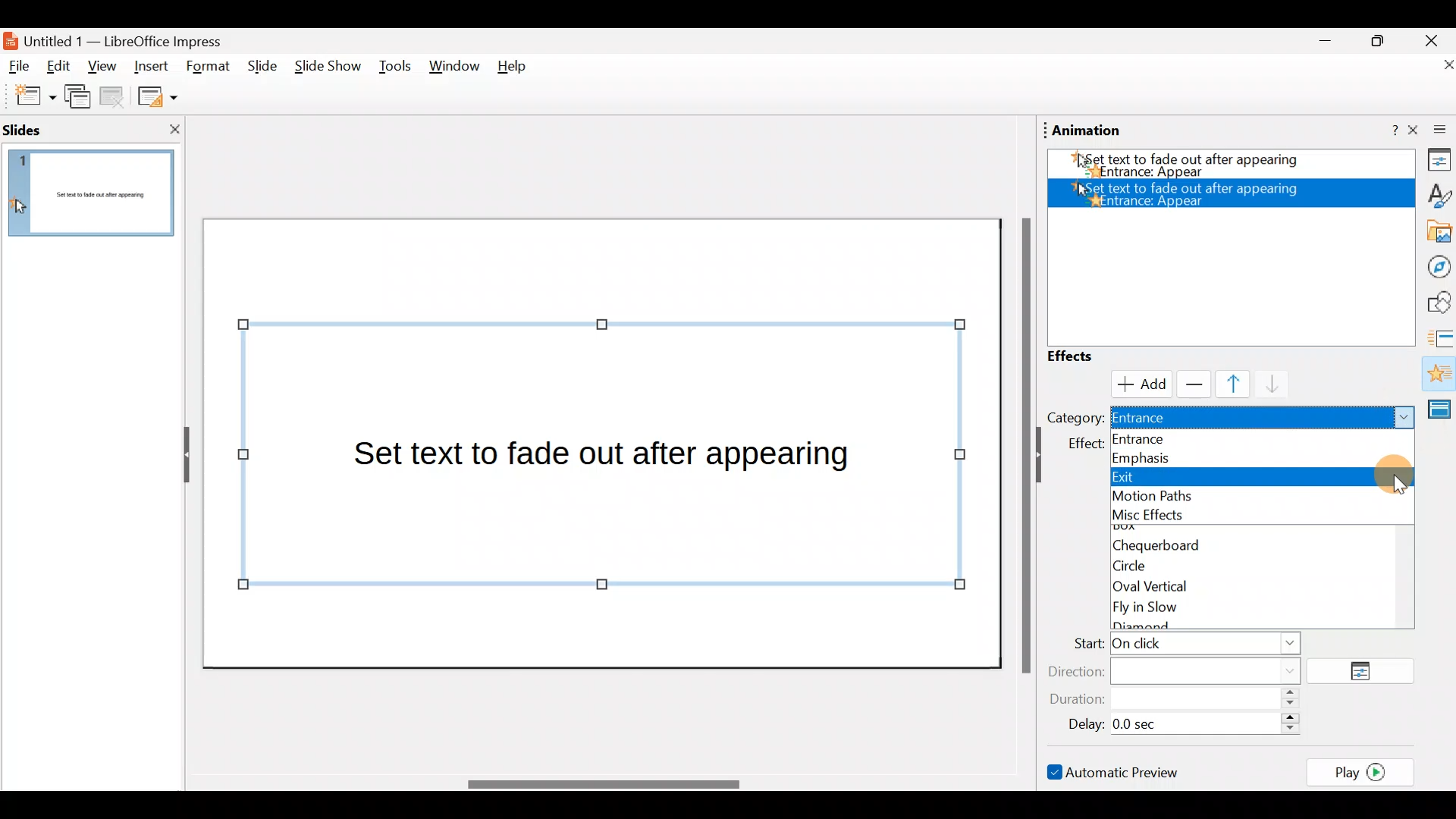  What do you see at coordinates (1262, 613) in the screenshot?
I see `Fly in slow` at bounding box center [1262, 613].